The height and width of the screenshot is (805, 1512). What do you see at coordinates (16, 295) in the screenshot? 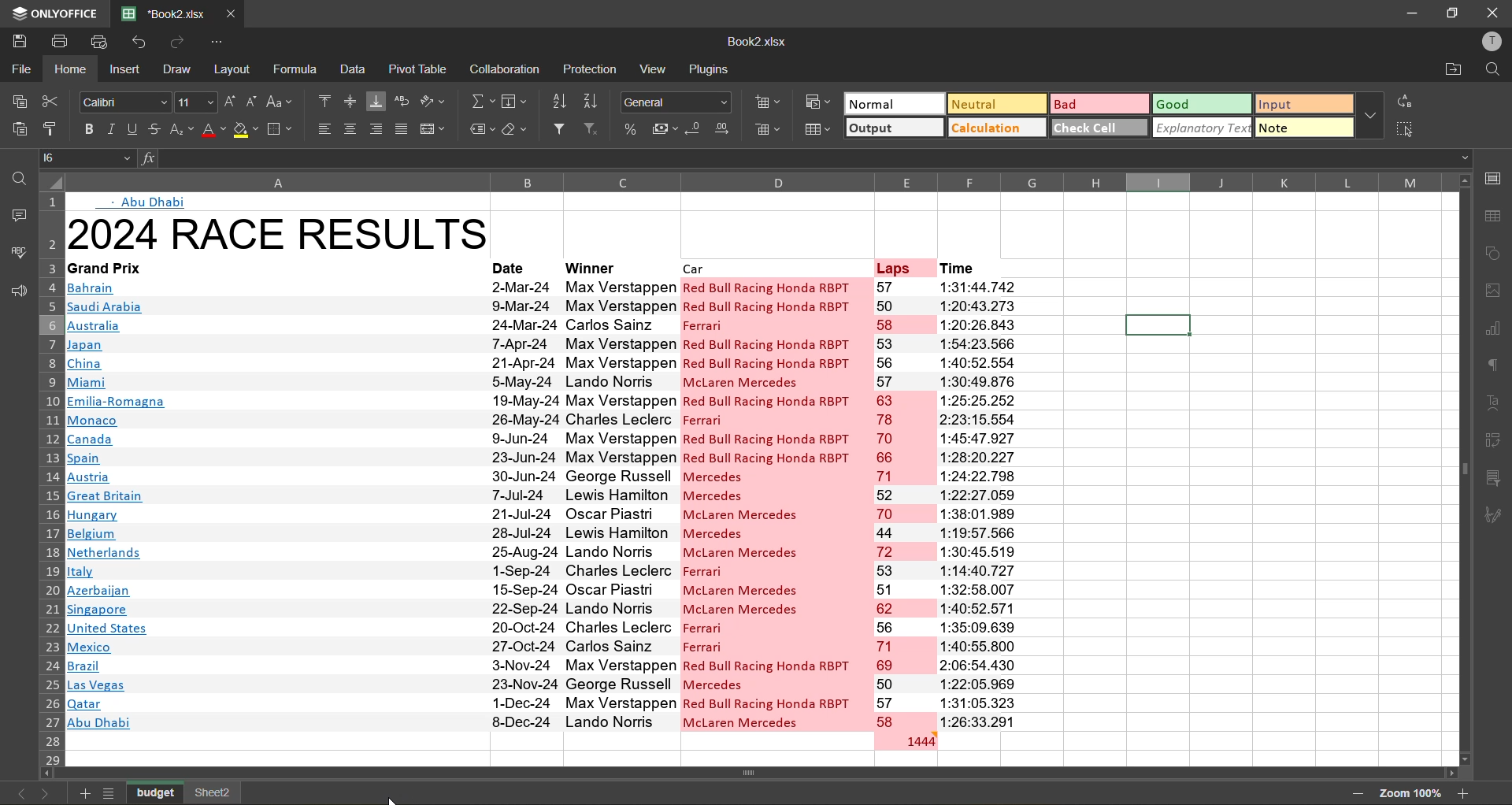
I see `feedback` at bounding box center [16, 295].